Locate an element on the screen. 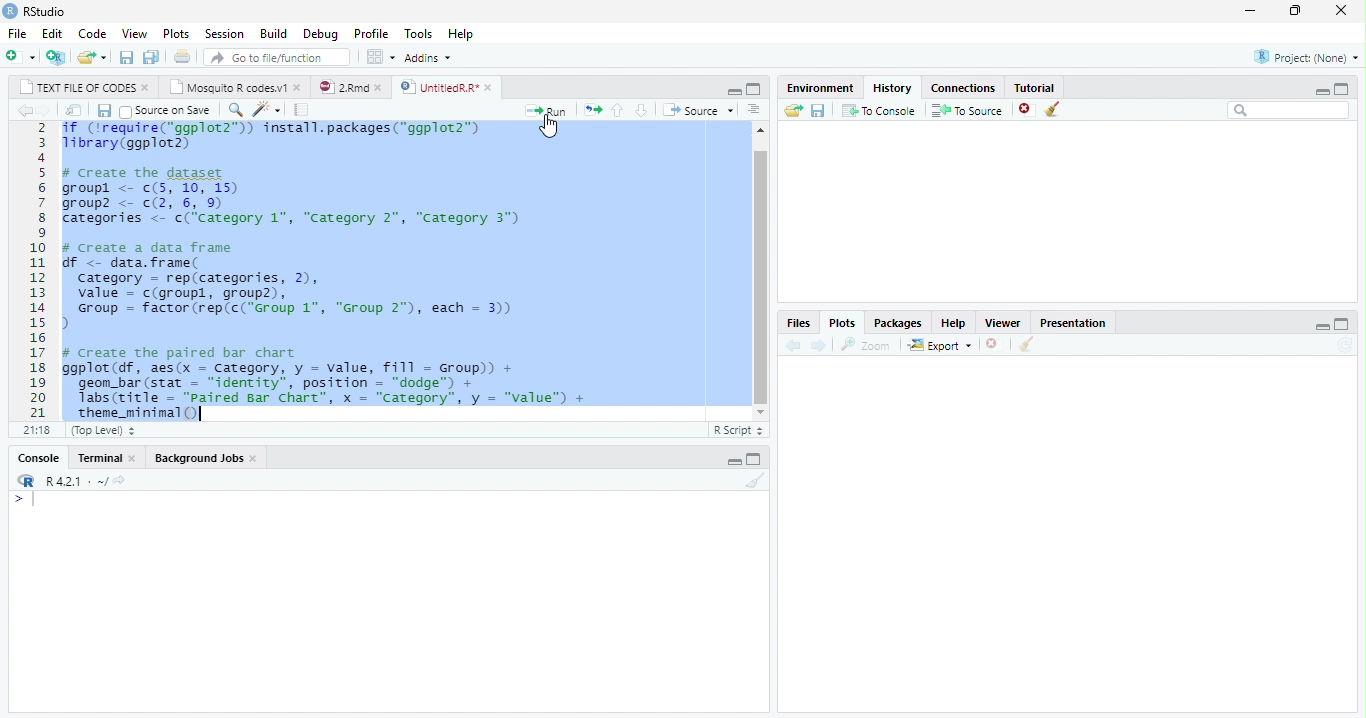 The height and width of the screenshot is (718, 1366). close is located at coordinates (298, 88).